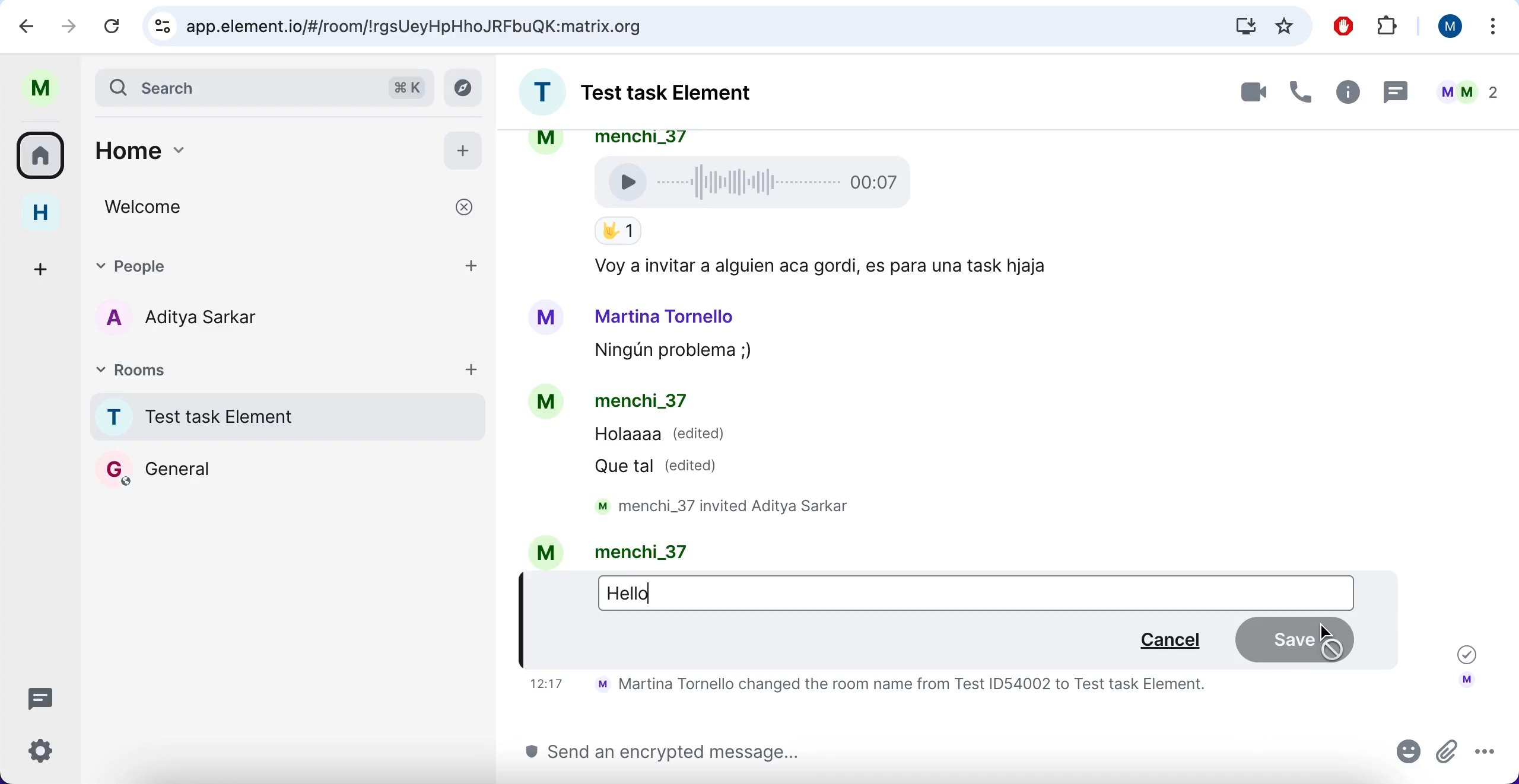 Image resolution: width=1519 pixels, height=784 pixels. What do you see at coordinates (288, 418) in the screenshot?
I see `chat room 1` at bounding box center [288, 418].